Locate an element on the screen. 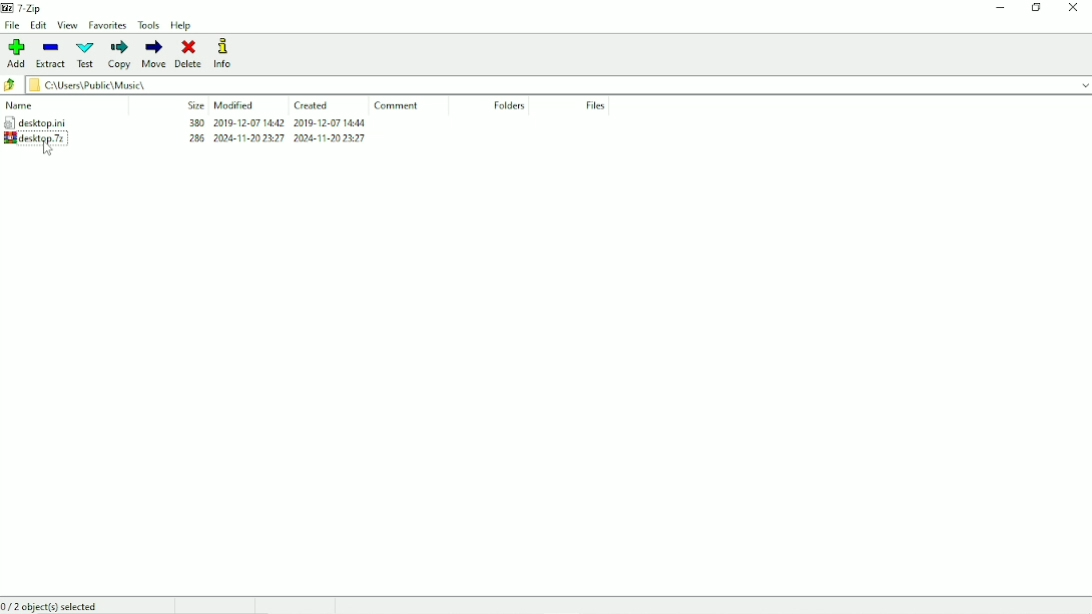 This screenshot has width=1092, height=614. modified date & time is located at coordinates (250, 138).